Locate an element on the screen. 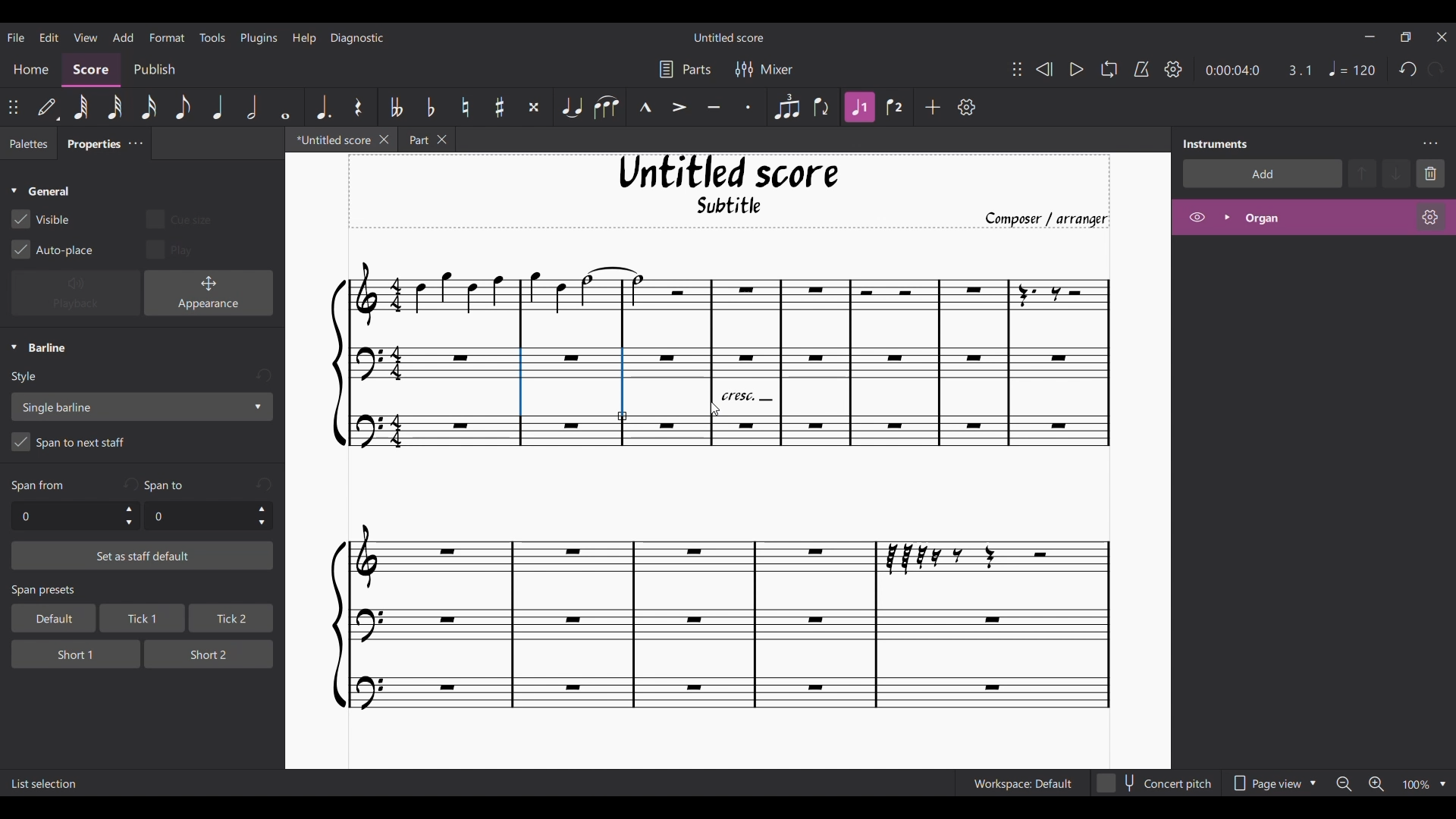 This screenshot has width=1456, height=819. File menu is located at coordinates (16, 36).